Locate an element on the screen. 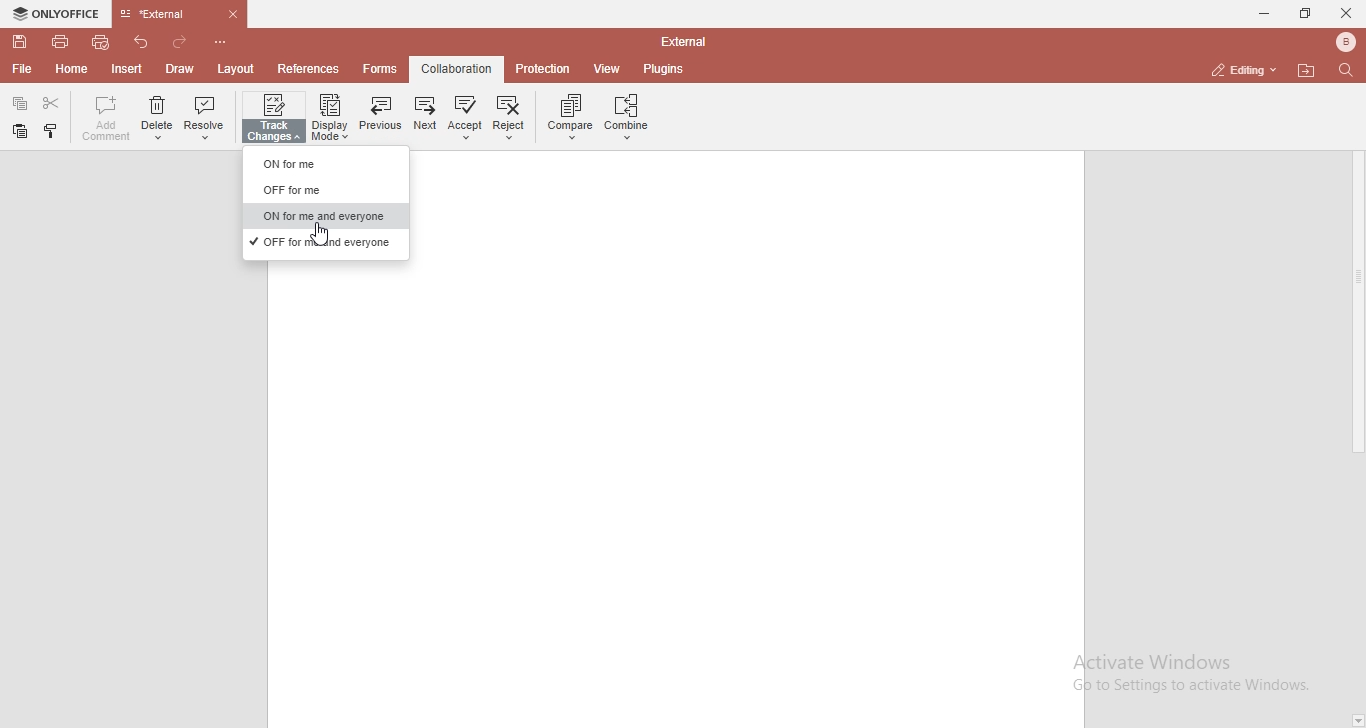 This screenshot has height=728, width=1366. editing is located at coordinates (1239, 70).